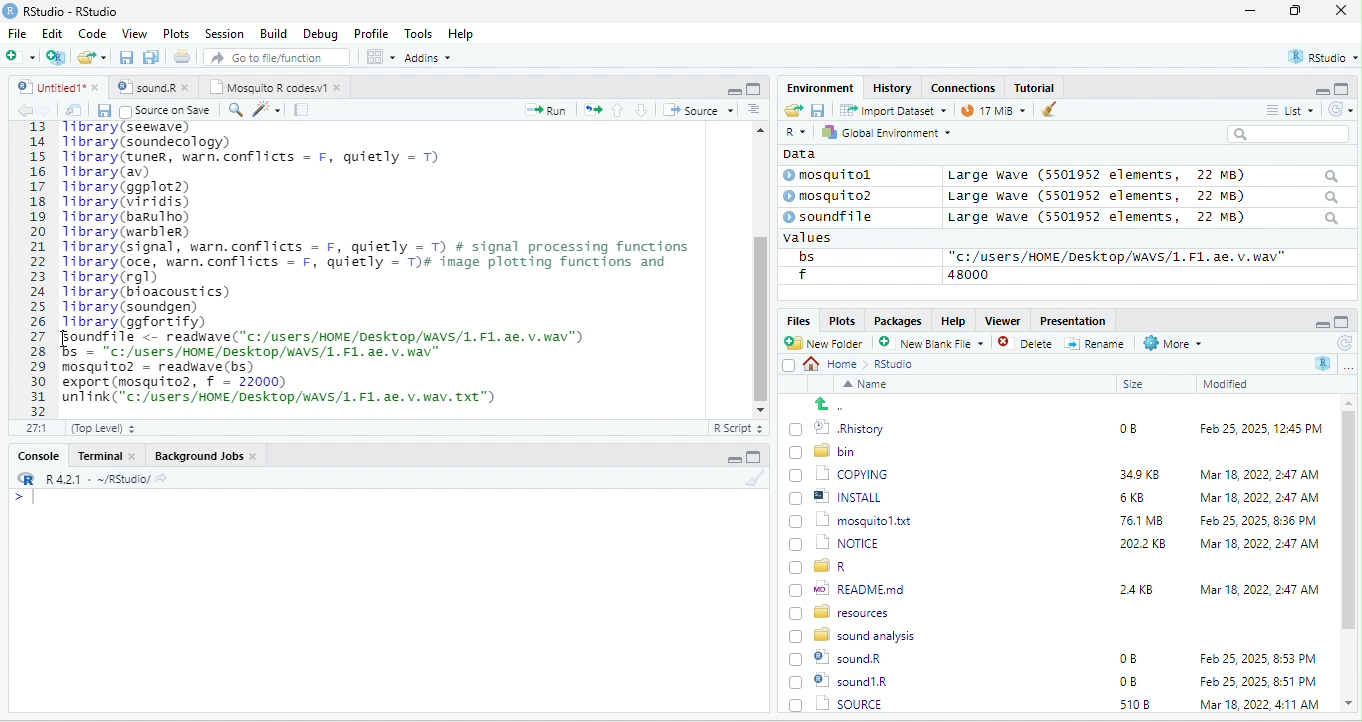  Describe the element at coordinates (852, 588) in the screenshot. I see `wo| READMEmd` at that location.